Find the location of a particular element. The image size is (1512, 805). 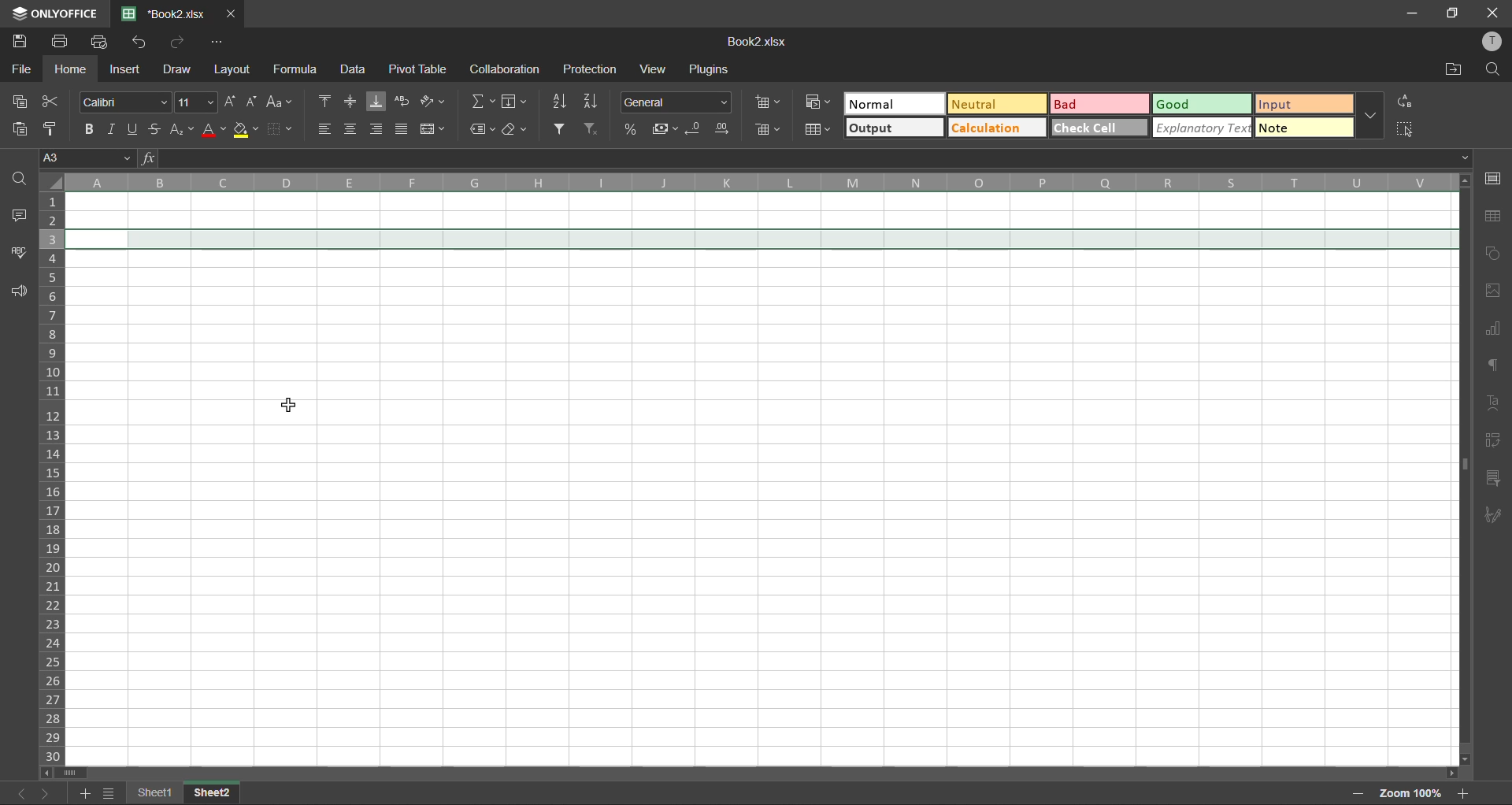

comments is located at coordinates (18, 214).